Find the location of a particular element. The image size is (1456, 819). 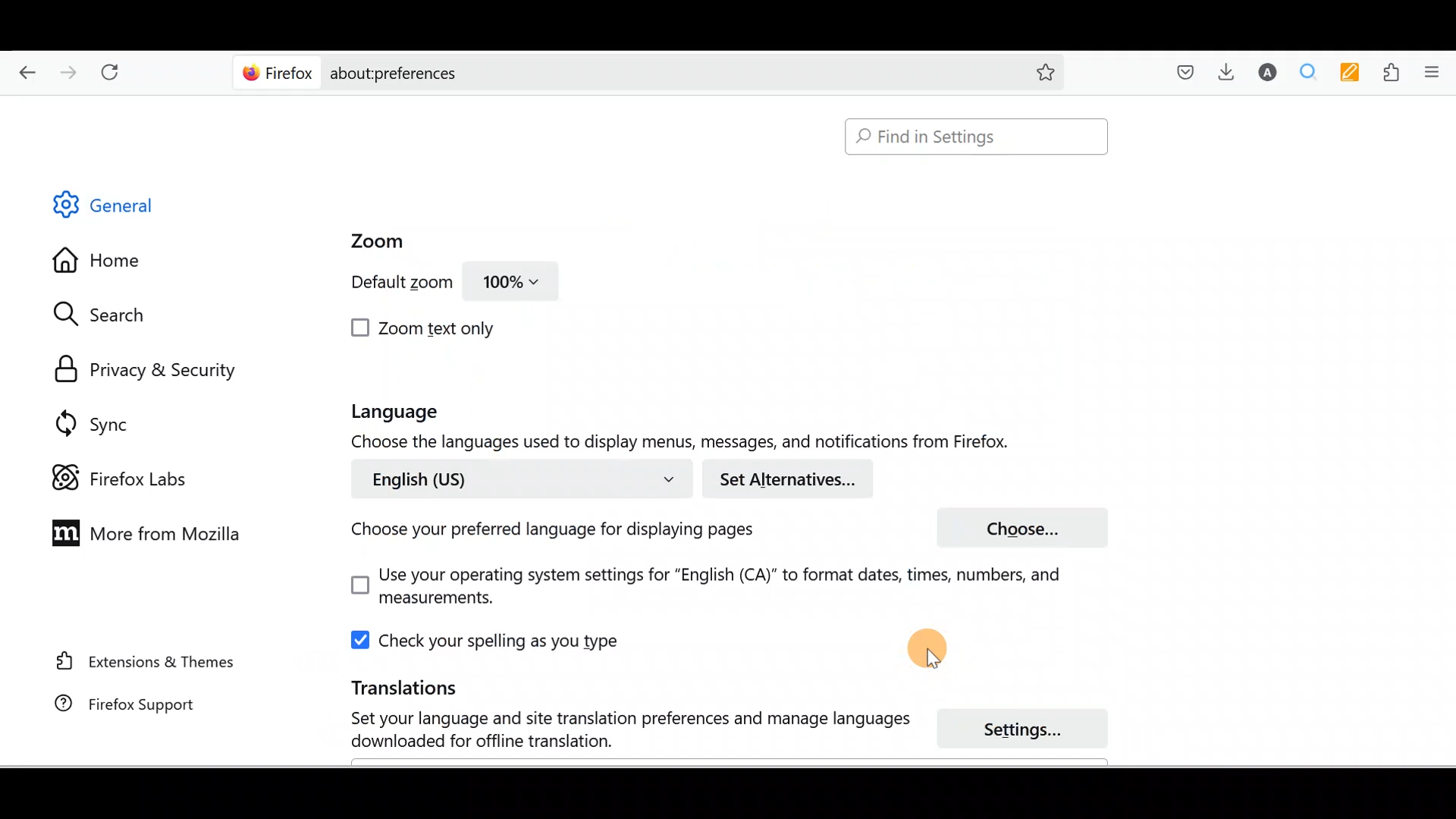

Language is located at coordinates (422, 413).